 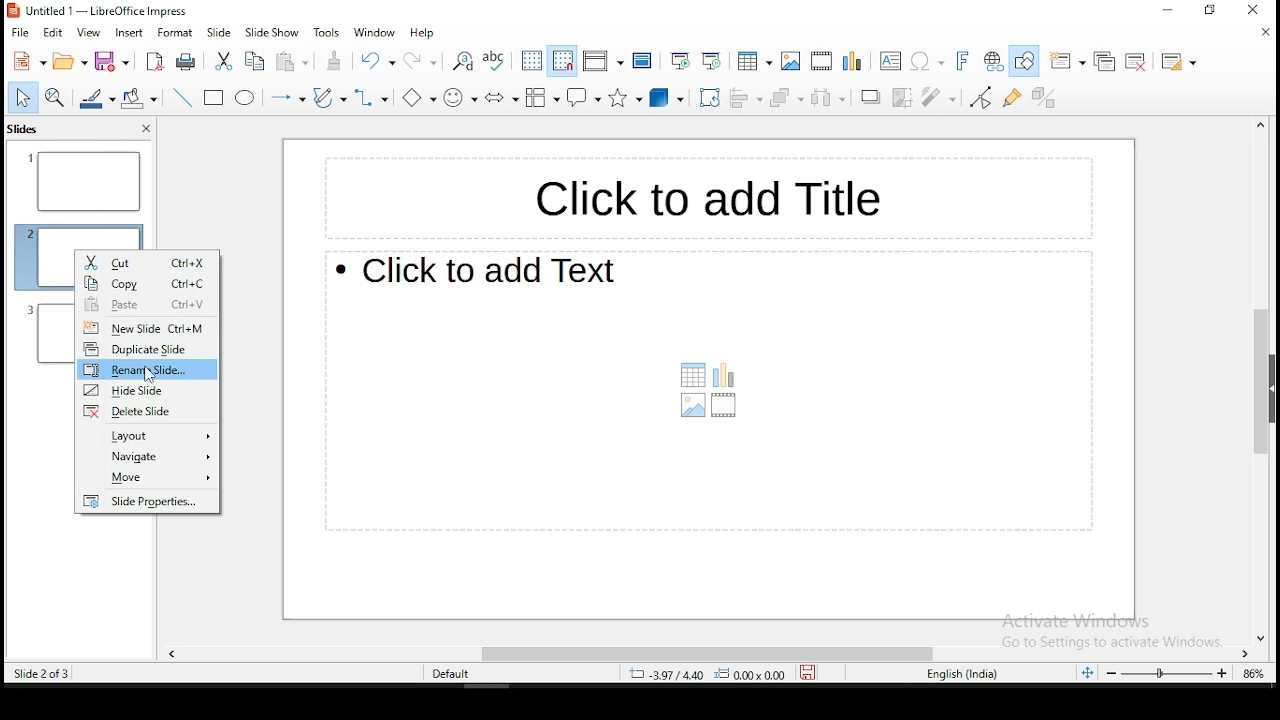 I want to click on insert chart, so click(x=851, y=61).